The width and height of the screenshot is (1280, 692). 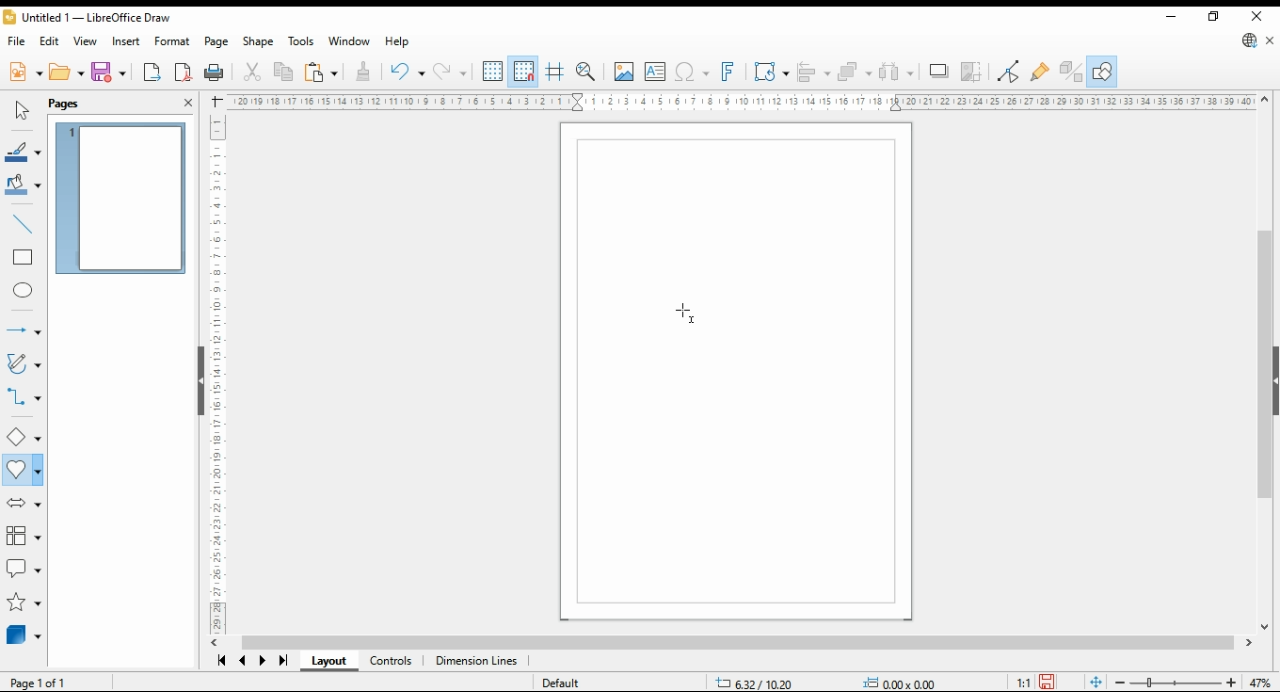 What do you see at coordinates (405, 70) in the screenshot?
I see `undo` at bounding box center [405, 70].